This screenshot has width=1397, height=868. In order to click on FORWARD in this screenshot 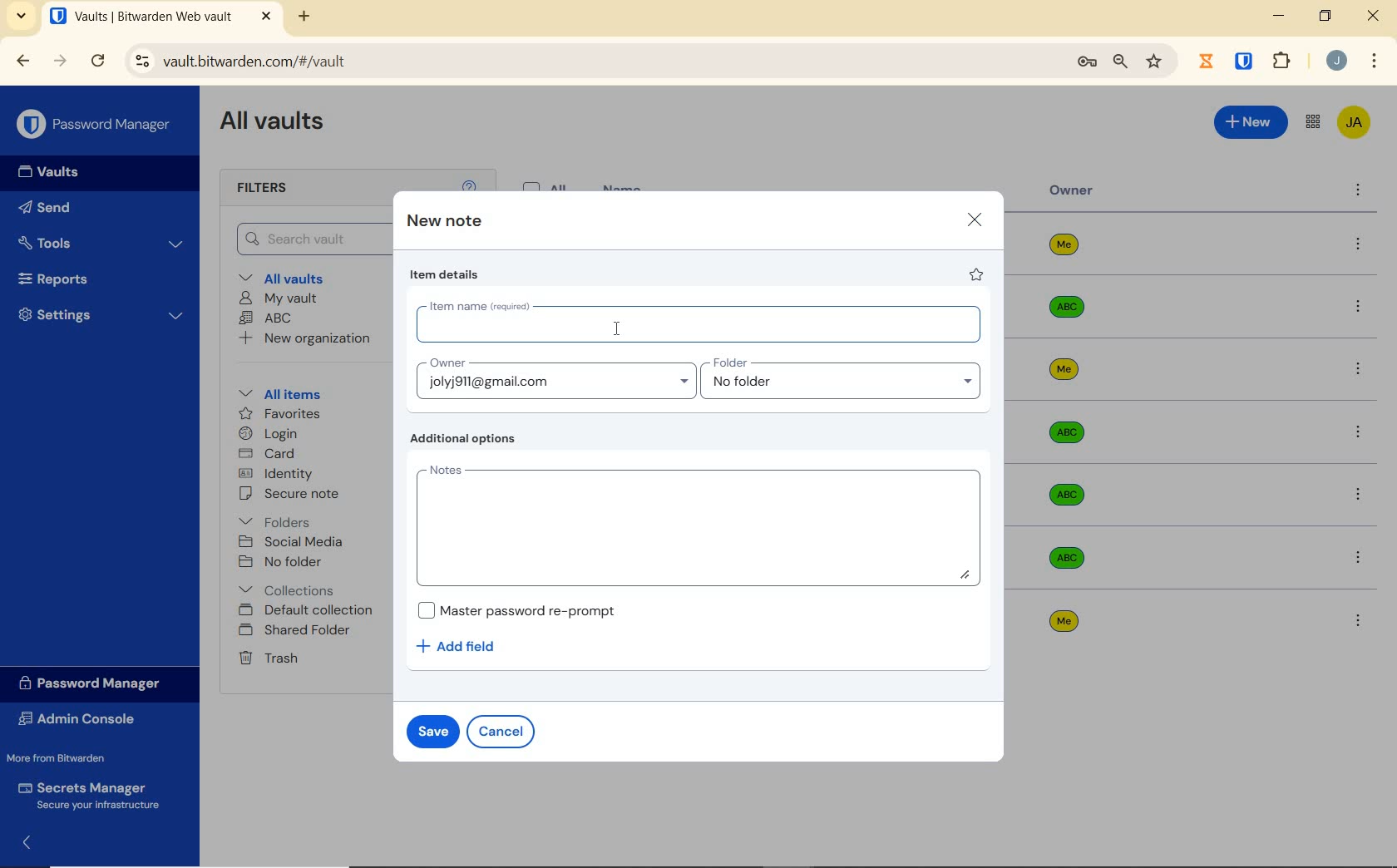, I will do `click(61, 62)`.